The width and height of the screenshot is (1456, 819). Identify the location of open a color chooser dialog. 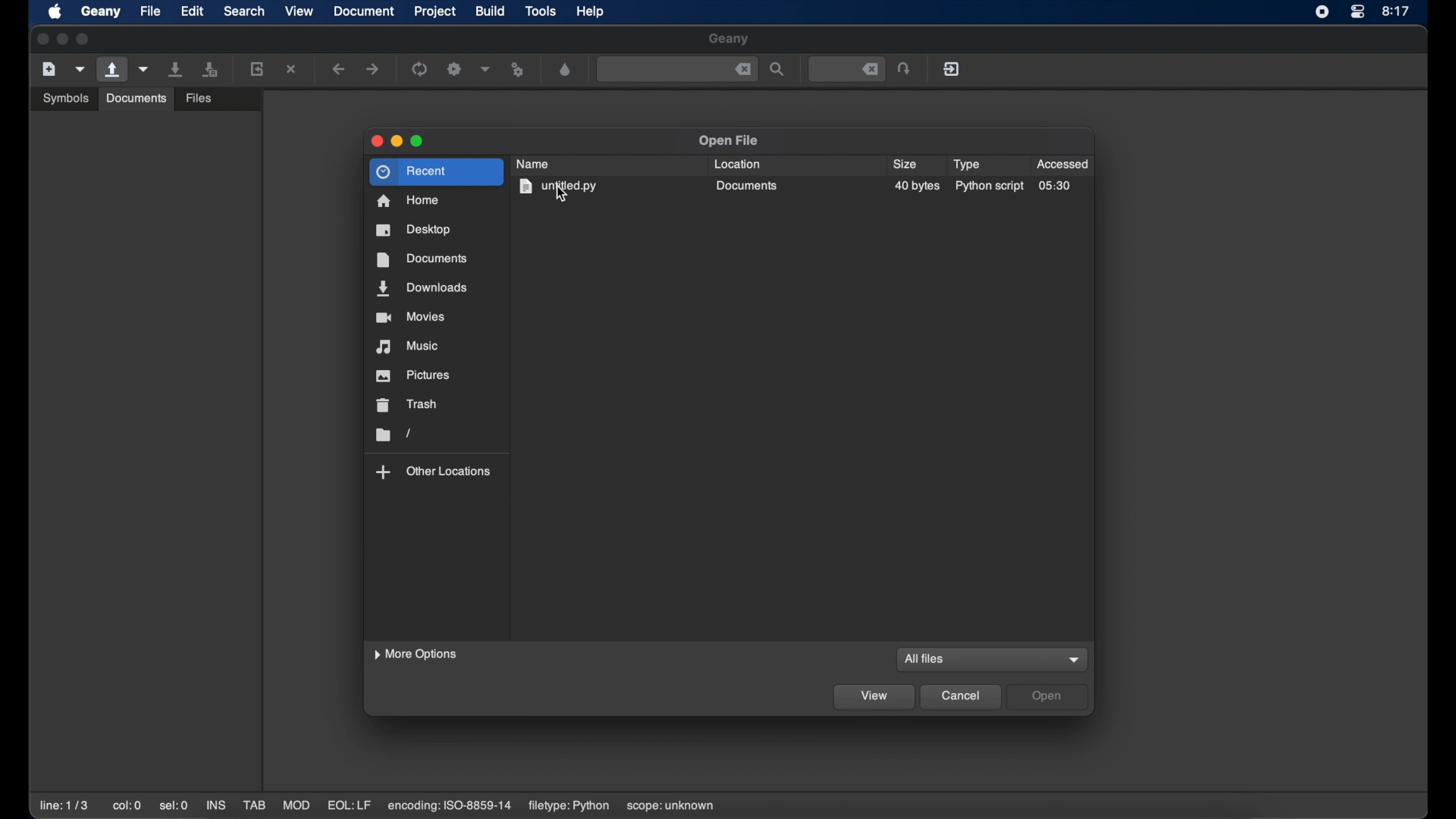
(566, 70).